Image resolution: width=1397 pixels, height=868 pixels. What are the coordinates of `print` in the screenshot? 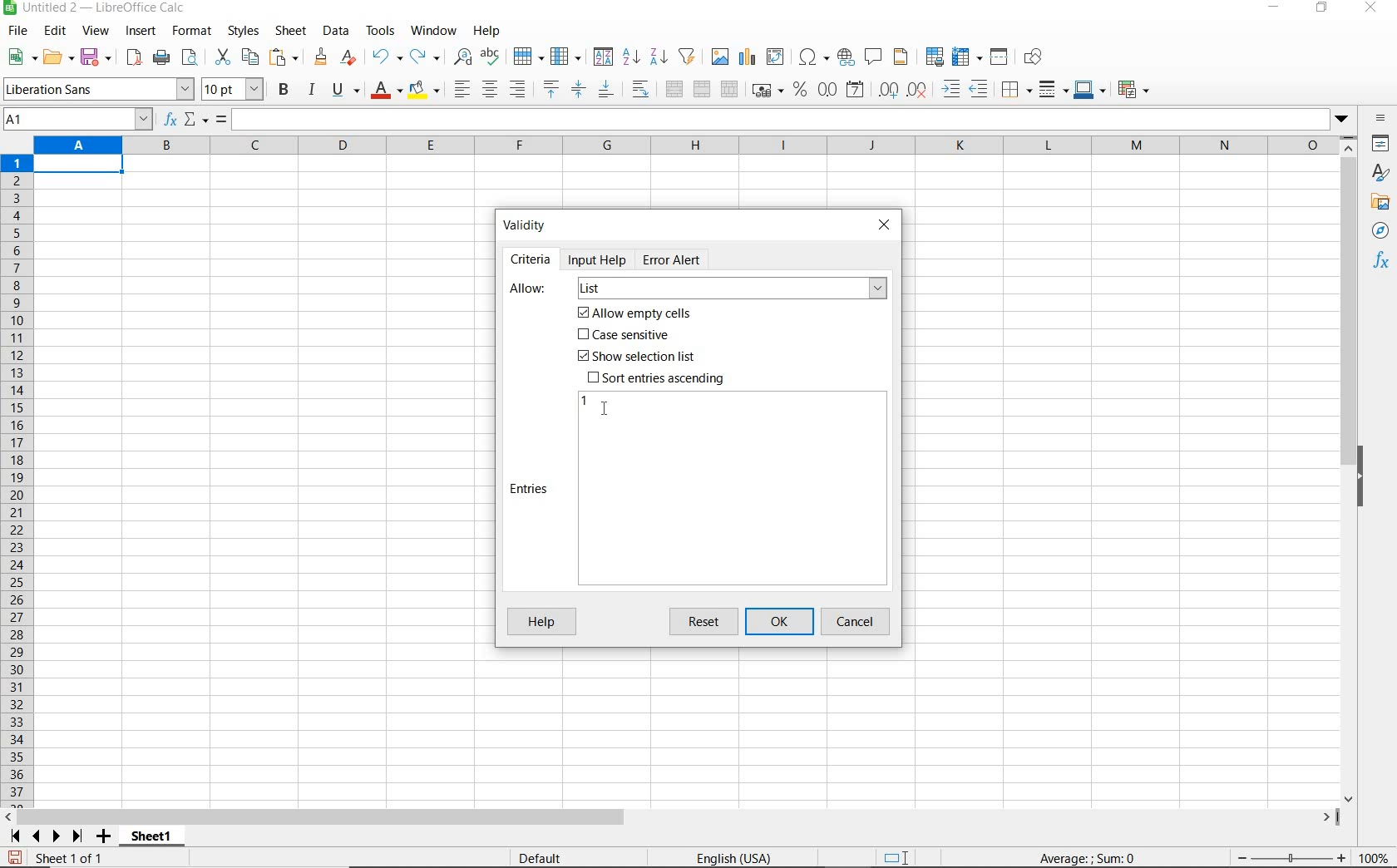 It's located at (161, 57).